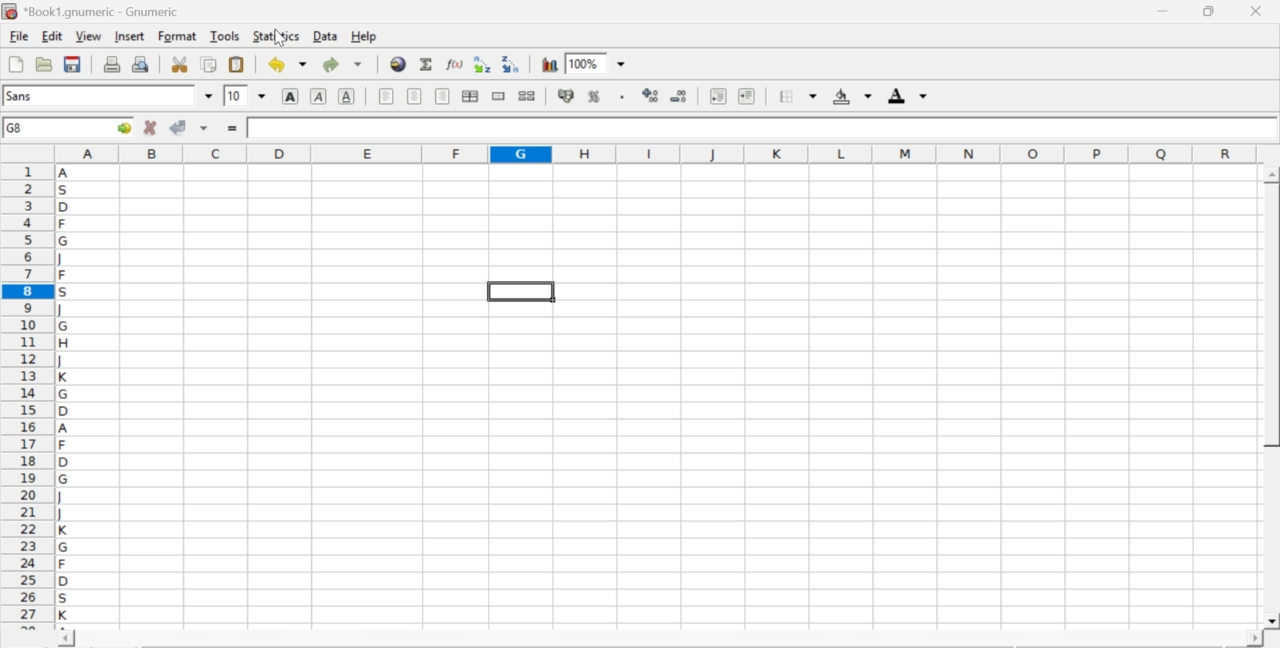 The height and width of the screenshot is (648, 1280). I want to click on insert chart, so click(550, 63).